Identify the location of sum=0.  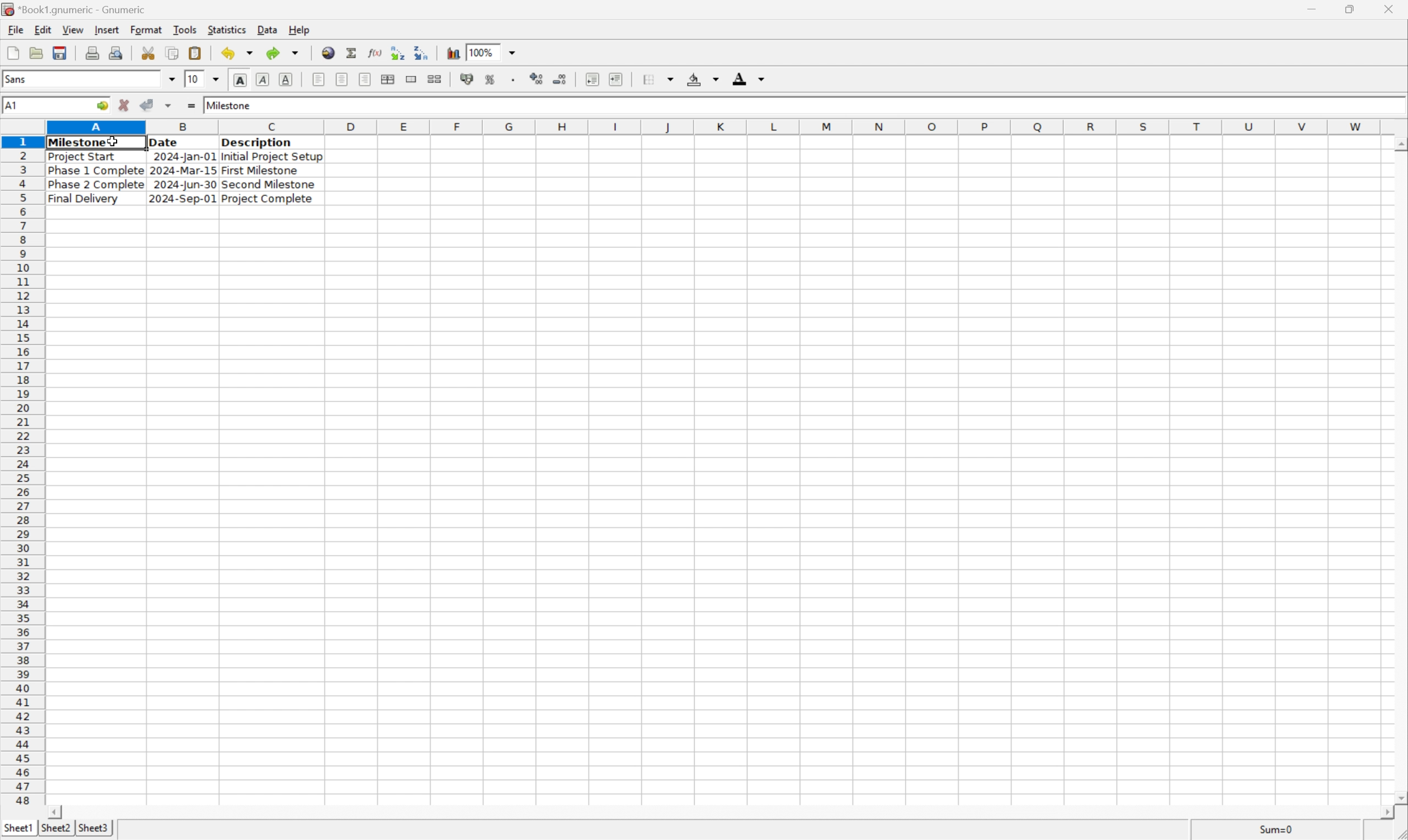
(1274, 831).